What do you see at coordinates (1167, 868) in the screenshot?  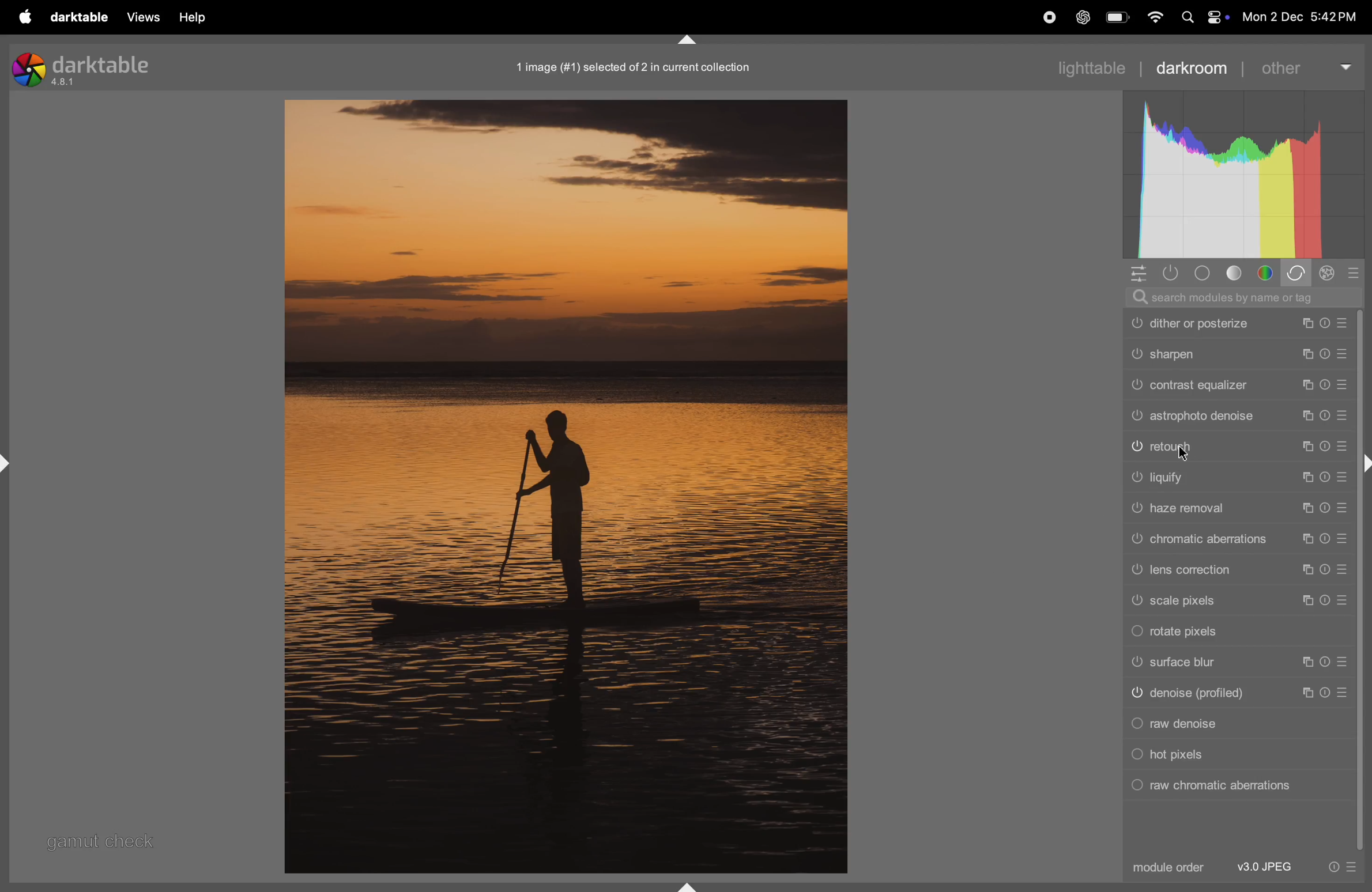 I see `module order` at bounding box center [1167, 868].